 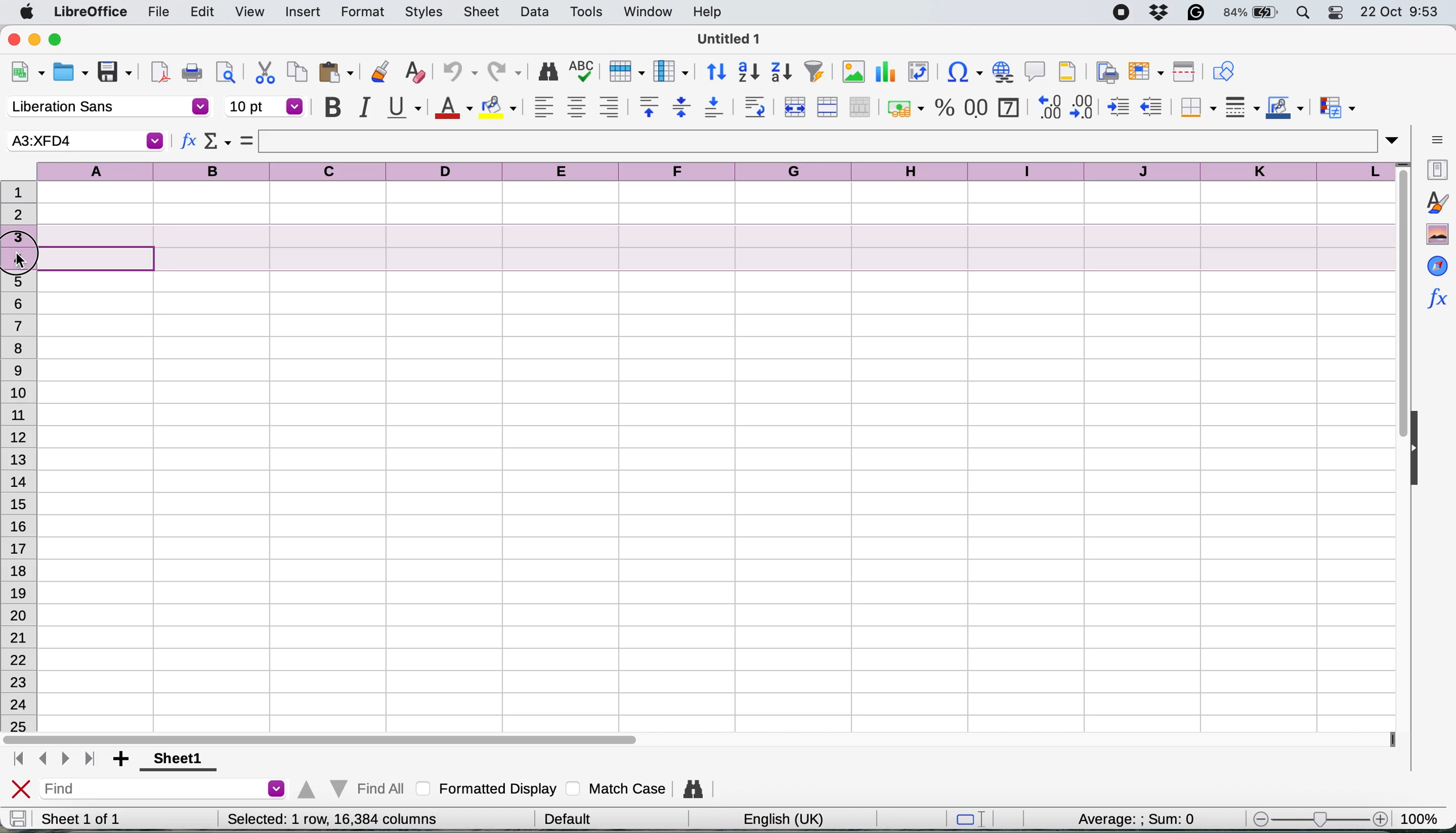 What do you see at coordinates (363, 107) in the screenshot?
I see `italic` at bounding box center [363, 107].